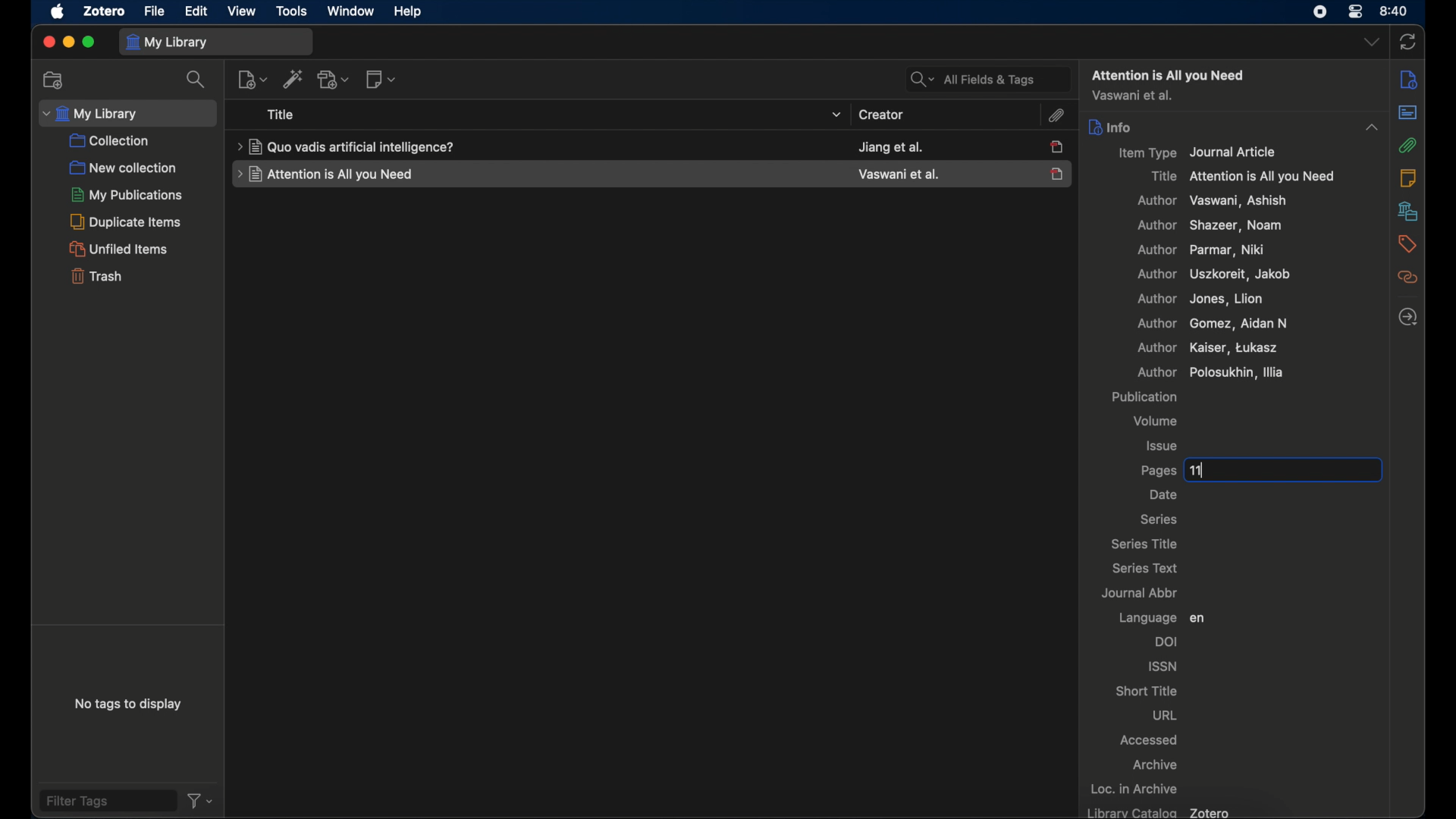  Describe the element at coordinates (1207, 347) in the screenshot. I see `author kaiser, tukasz` at that location.